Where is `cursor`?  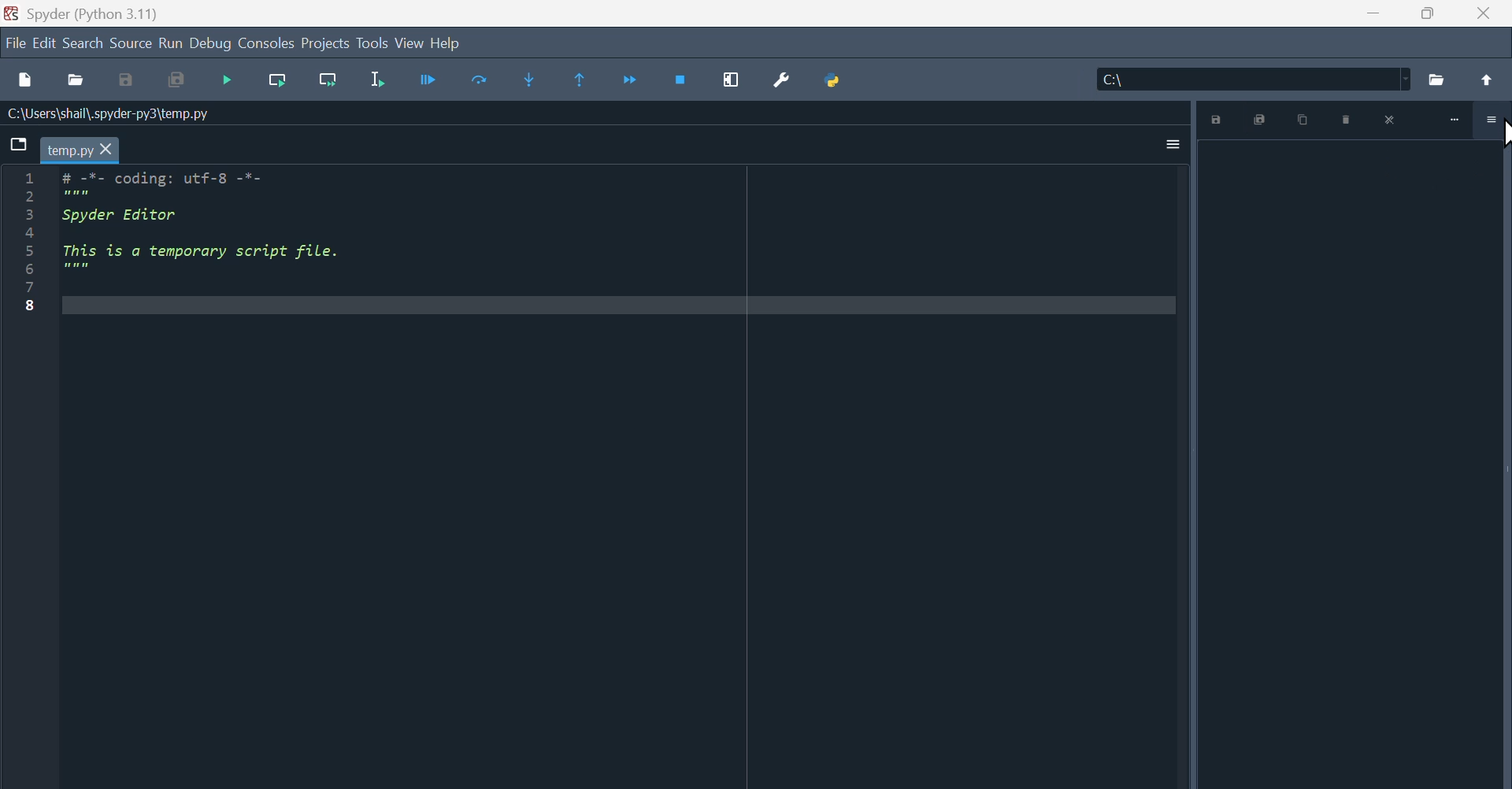 cursor is located at coordinates (1503, 133).